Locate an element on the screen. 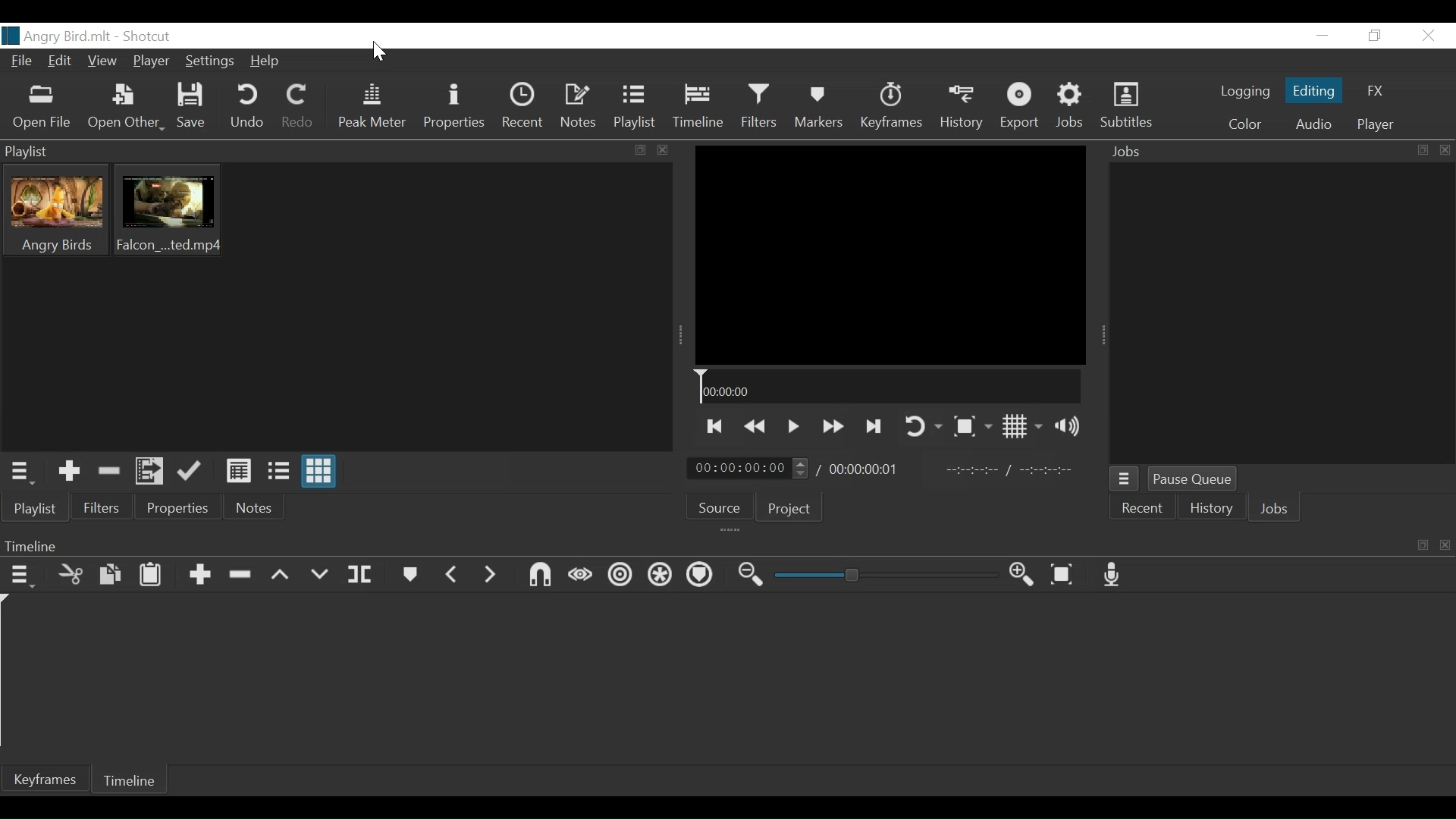 The image size is (1456, 819). Peak Meter is located at coordinates (370, 108).